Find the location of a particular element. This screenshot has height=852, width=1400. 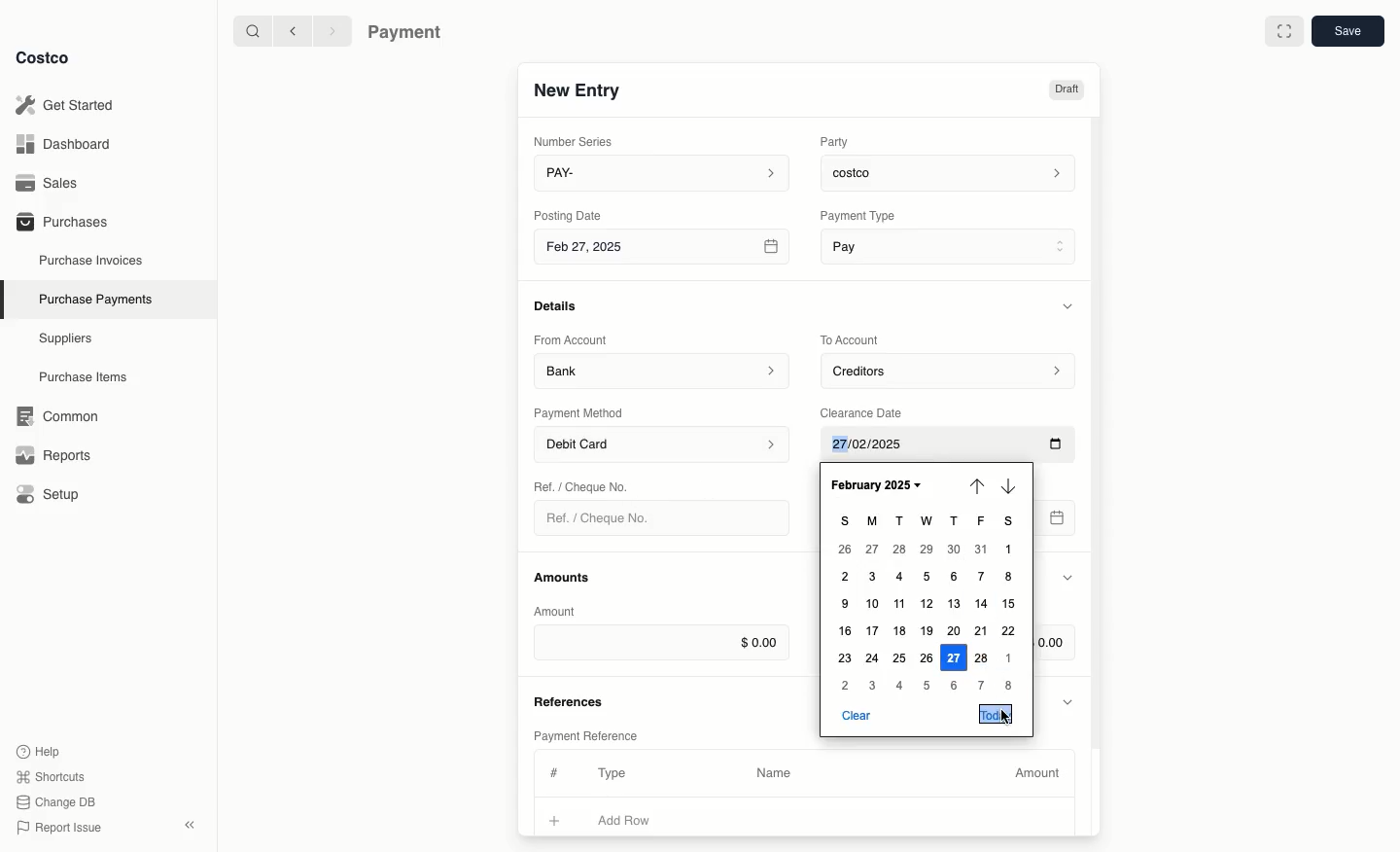

Costco is located at coordinates (42, 57).